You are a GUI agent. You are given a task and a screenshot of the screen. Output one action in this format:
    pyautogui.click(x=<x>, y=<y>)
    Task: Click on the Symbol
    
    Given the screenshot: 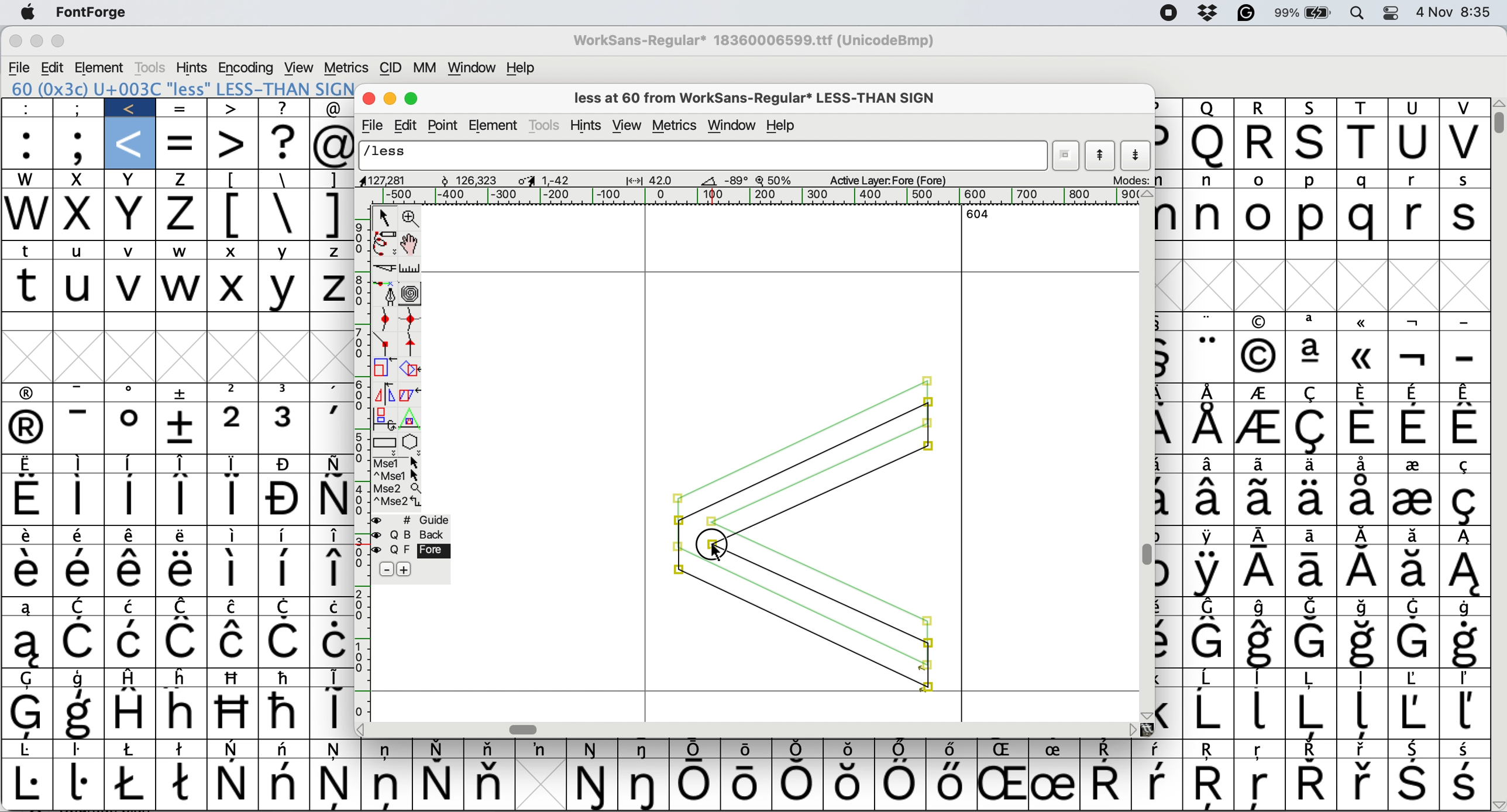 What is the action you would take?
    pyautogui.click(x=32, y=535)
    